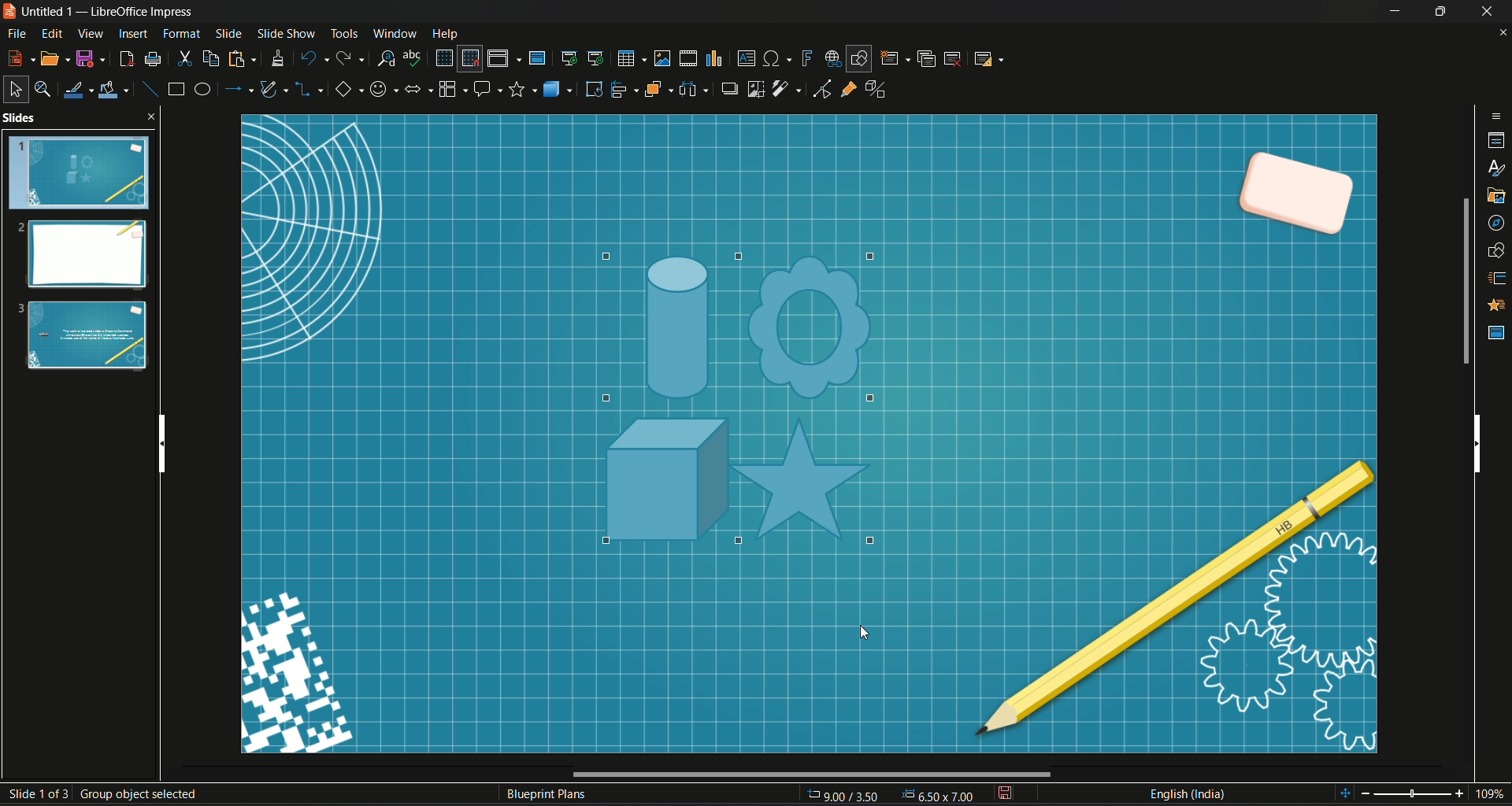 This screenshot has height=806, width=1512. I want to click on Text, so click(547, 796).